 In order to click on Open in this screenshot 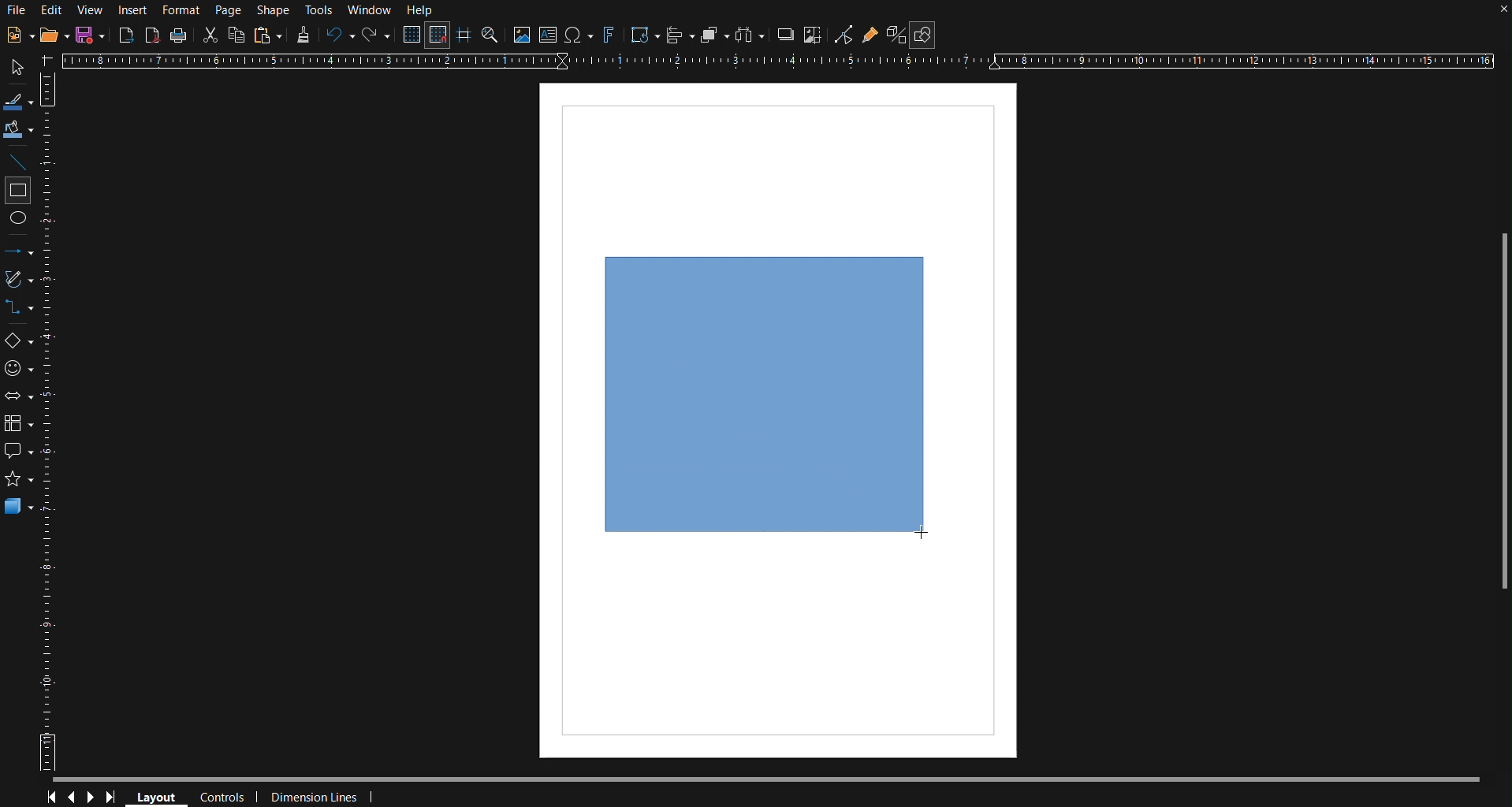, I will do `click(56, 34)`.